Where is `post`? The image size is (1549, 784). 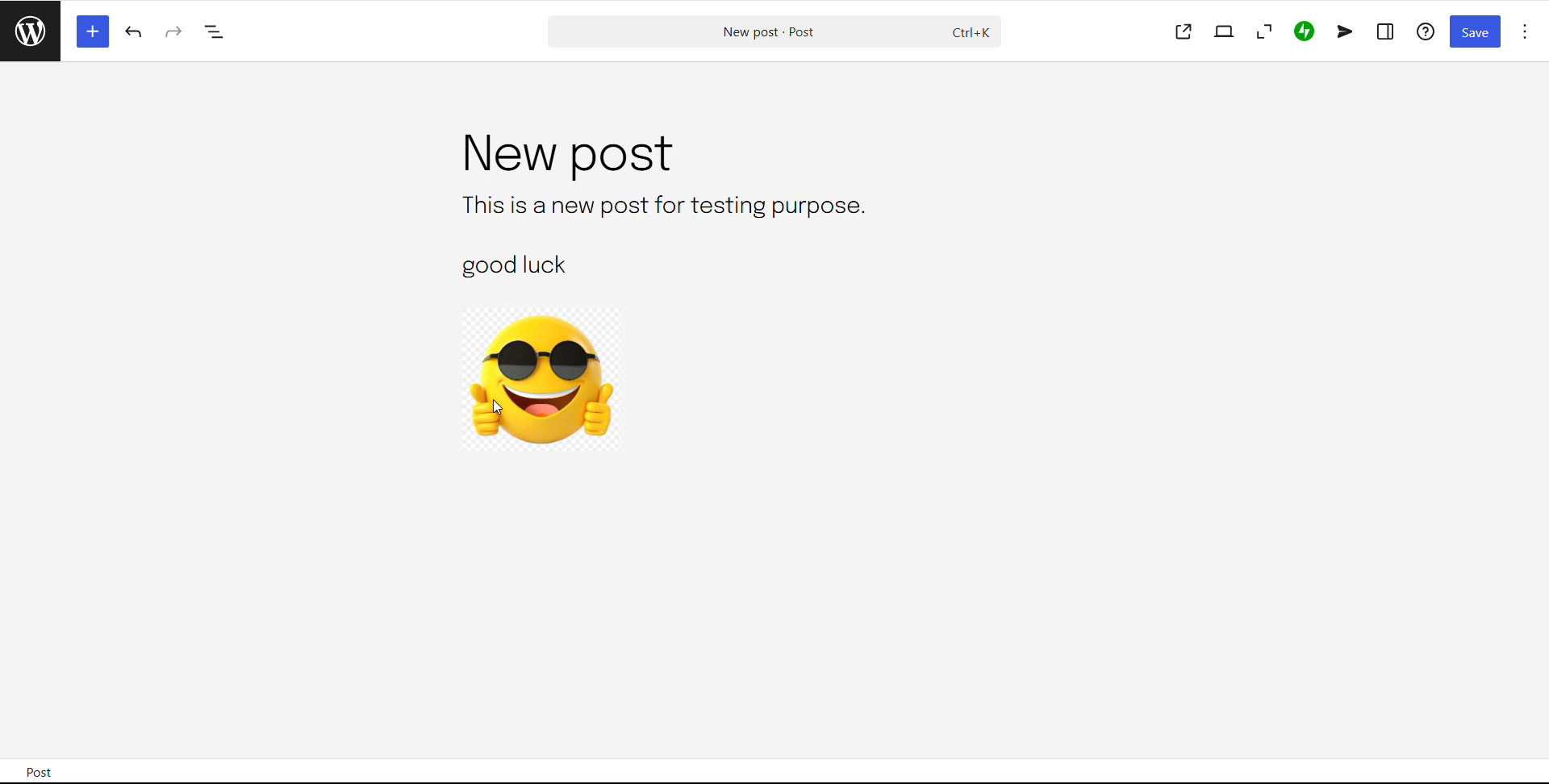
post is located at coordinates (563, 155).